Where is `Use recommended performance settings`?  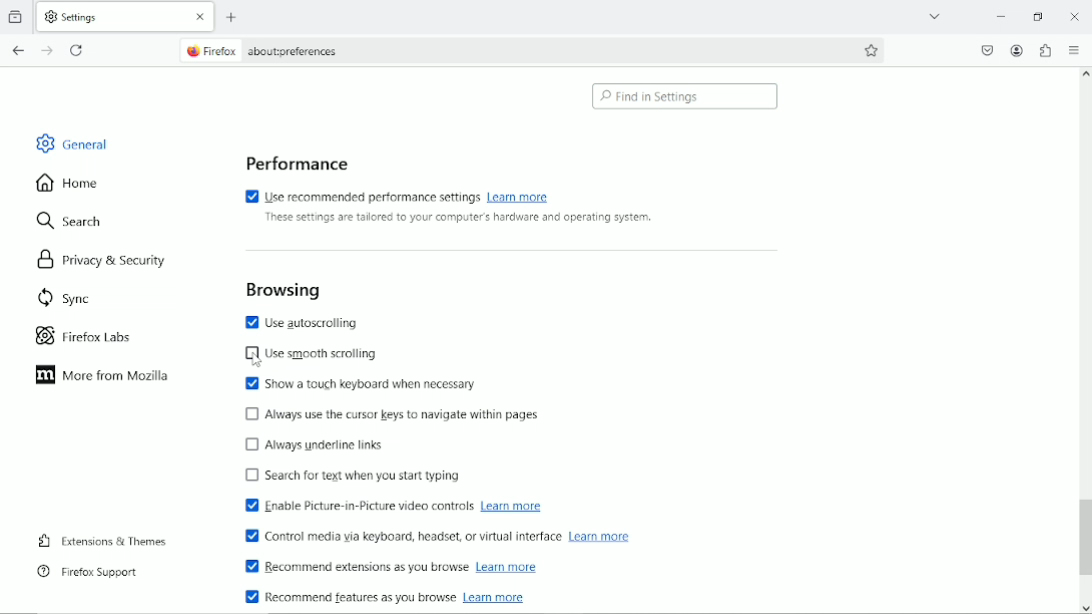 Use recommended performance settings is located at coordinates (360, 195).